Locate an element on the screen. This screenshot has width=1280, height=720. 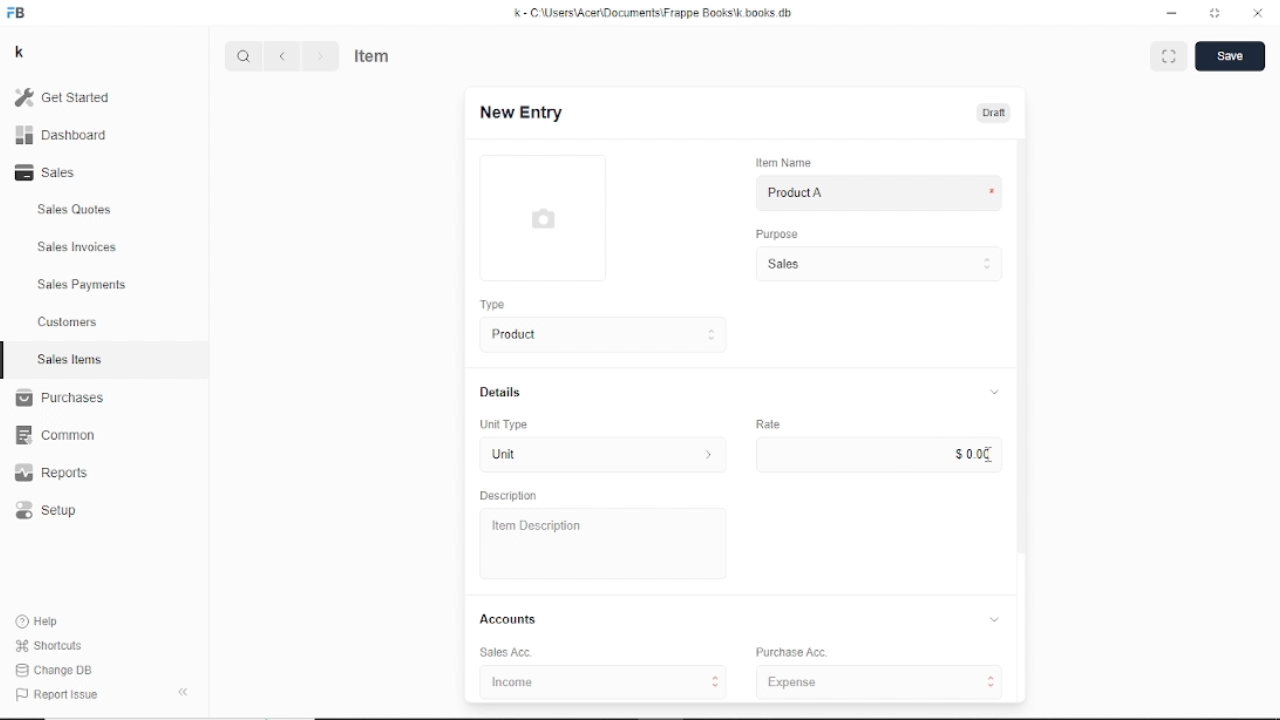
Rate is located at coordinates (768, 423).